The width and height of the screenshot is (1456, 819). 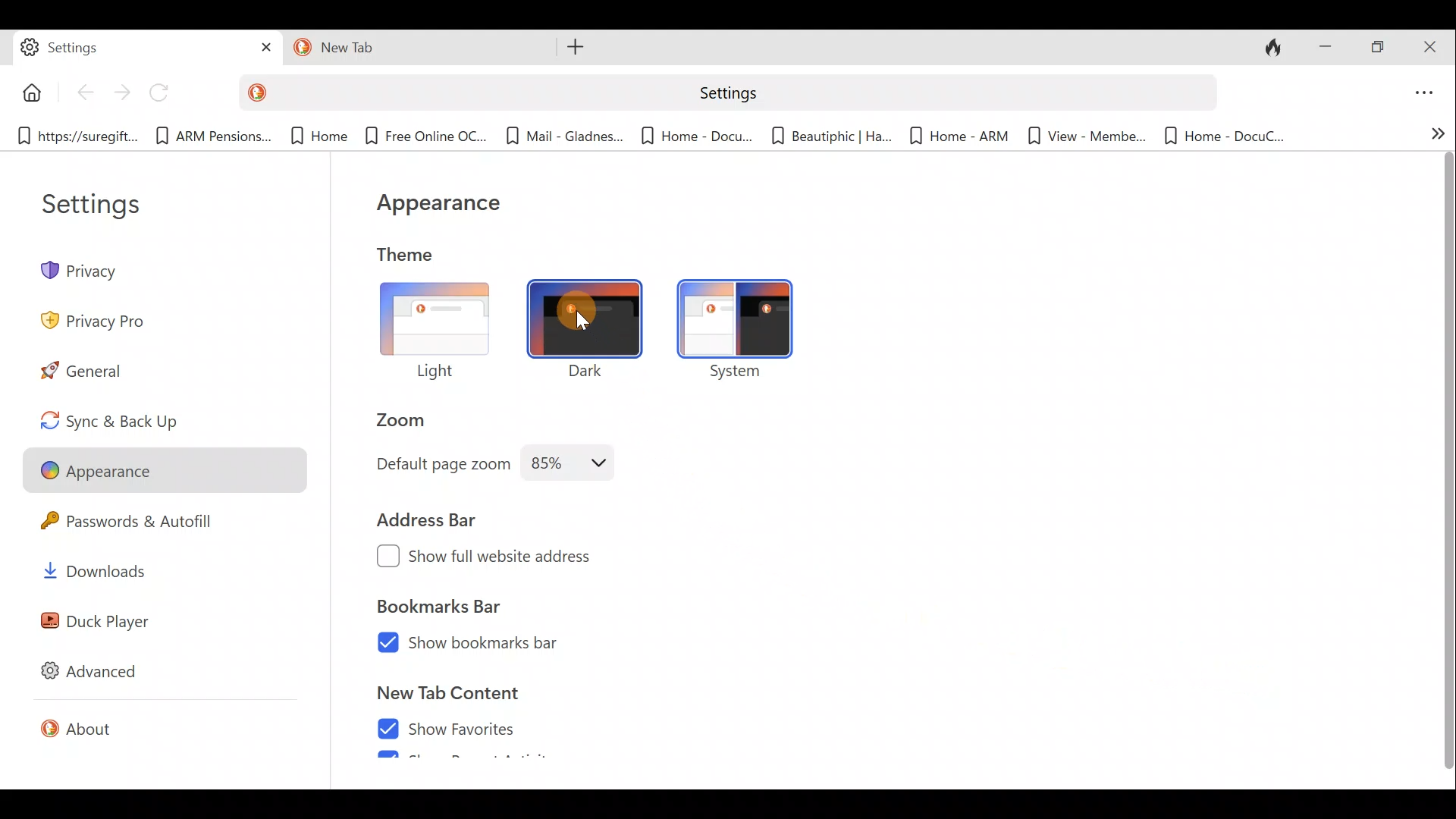 What do you see at coordinates (302, 49) in the screenshot?
I see `duckduck go logo` at bounding box center [302, 49].